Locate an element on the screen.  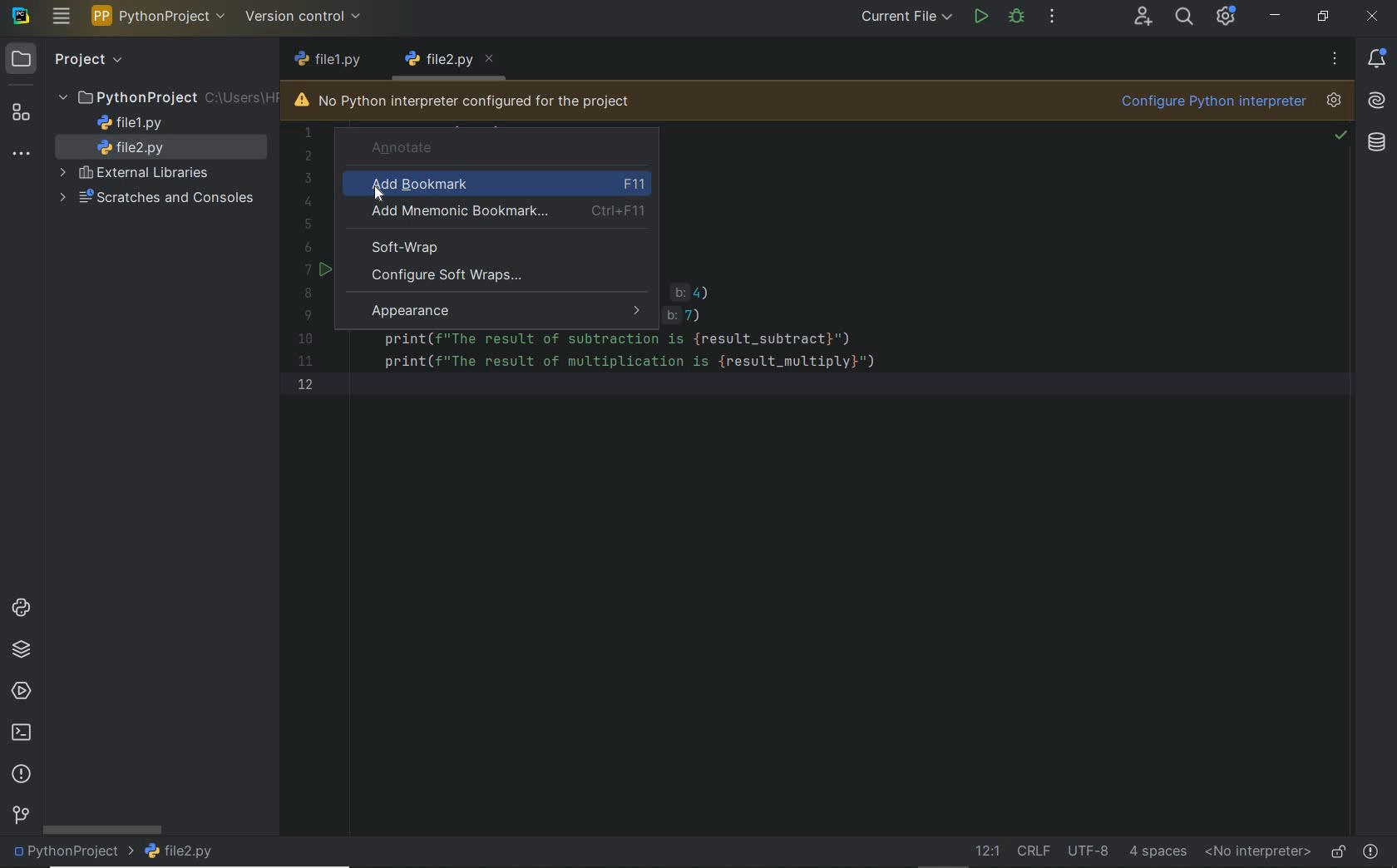
more options is located at coordinates (1333, 58).